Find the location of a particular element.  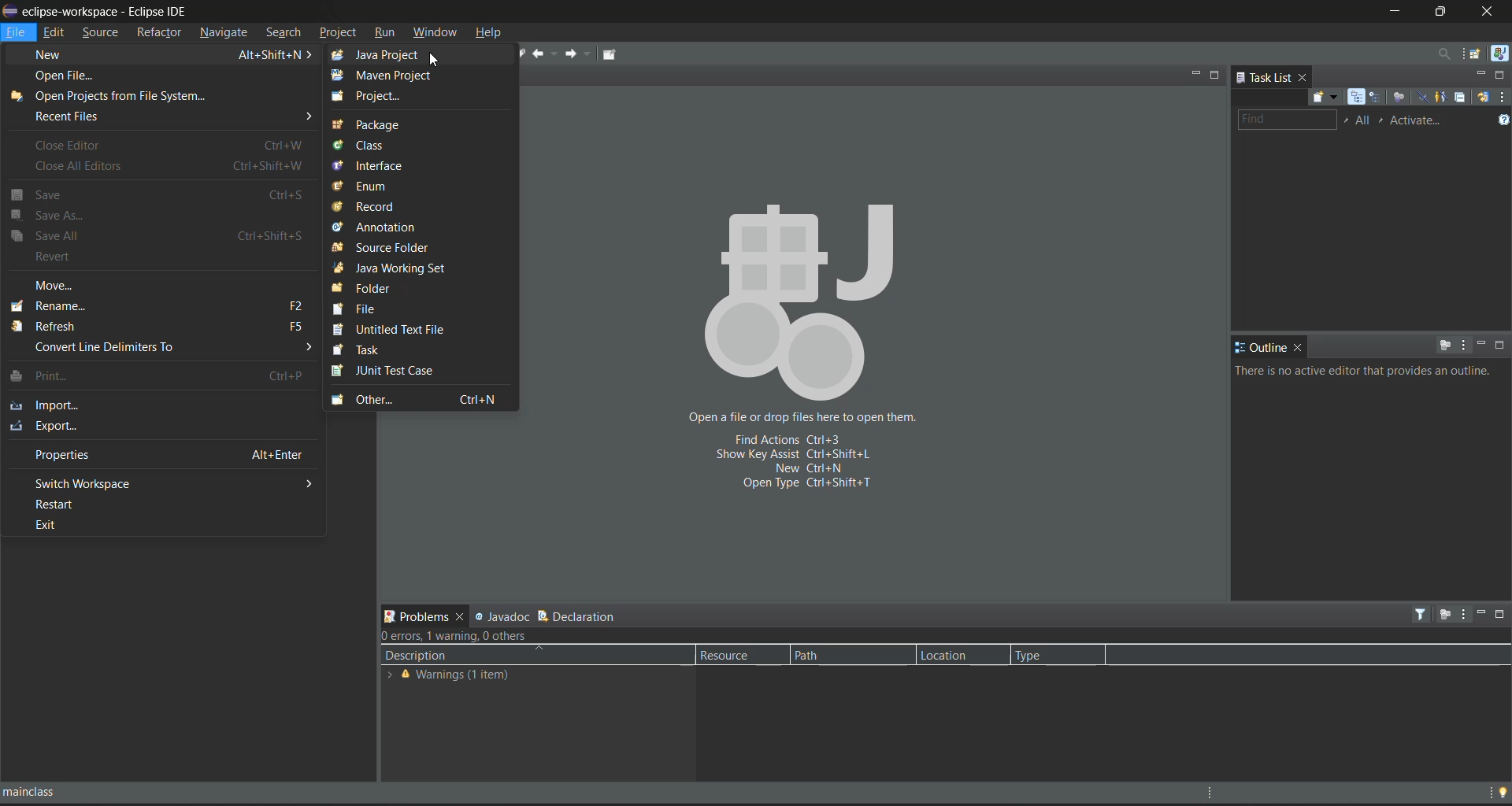

maximize is located at coordinates (1443, 12).